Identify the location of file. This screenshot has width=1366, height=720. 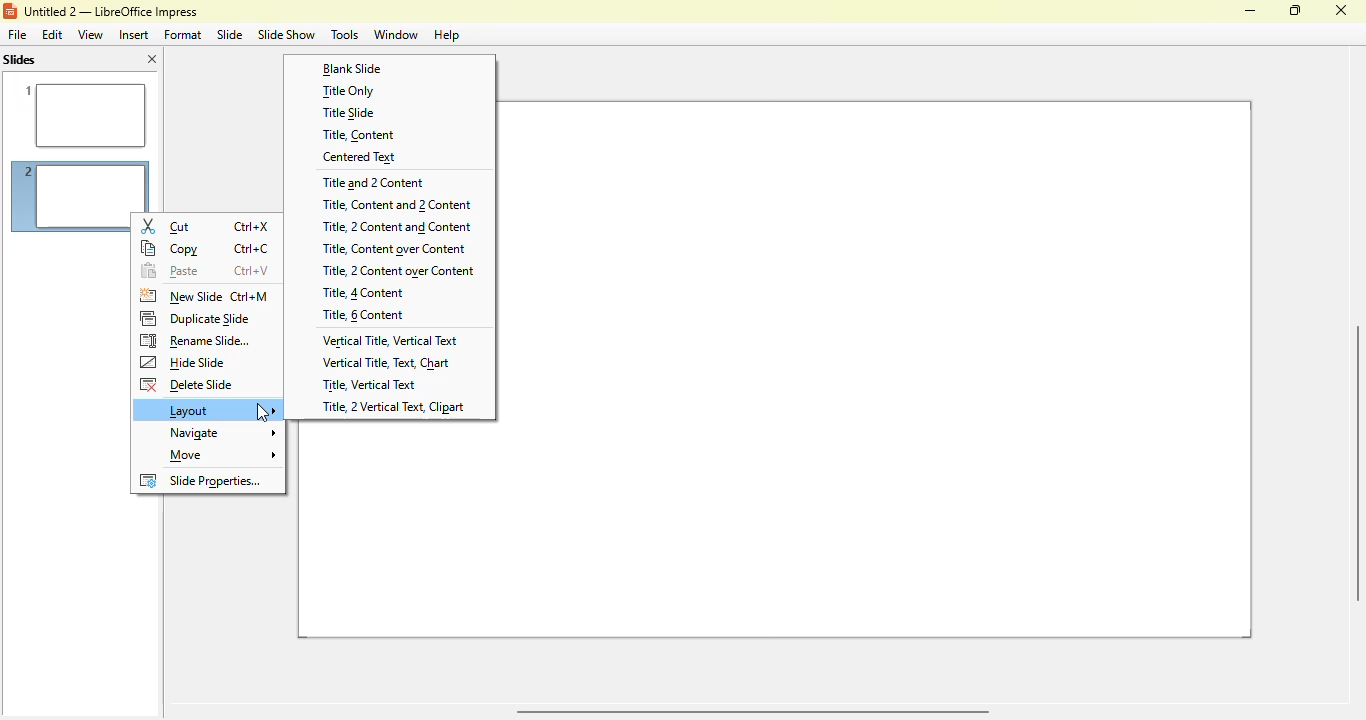
(16, 34).